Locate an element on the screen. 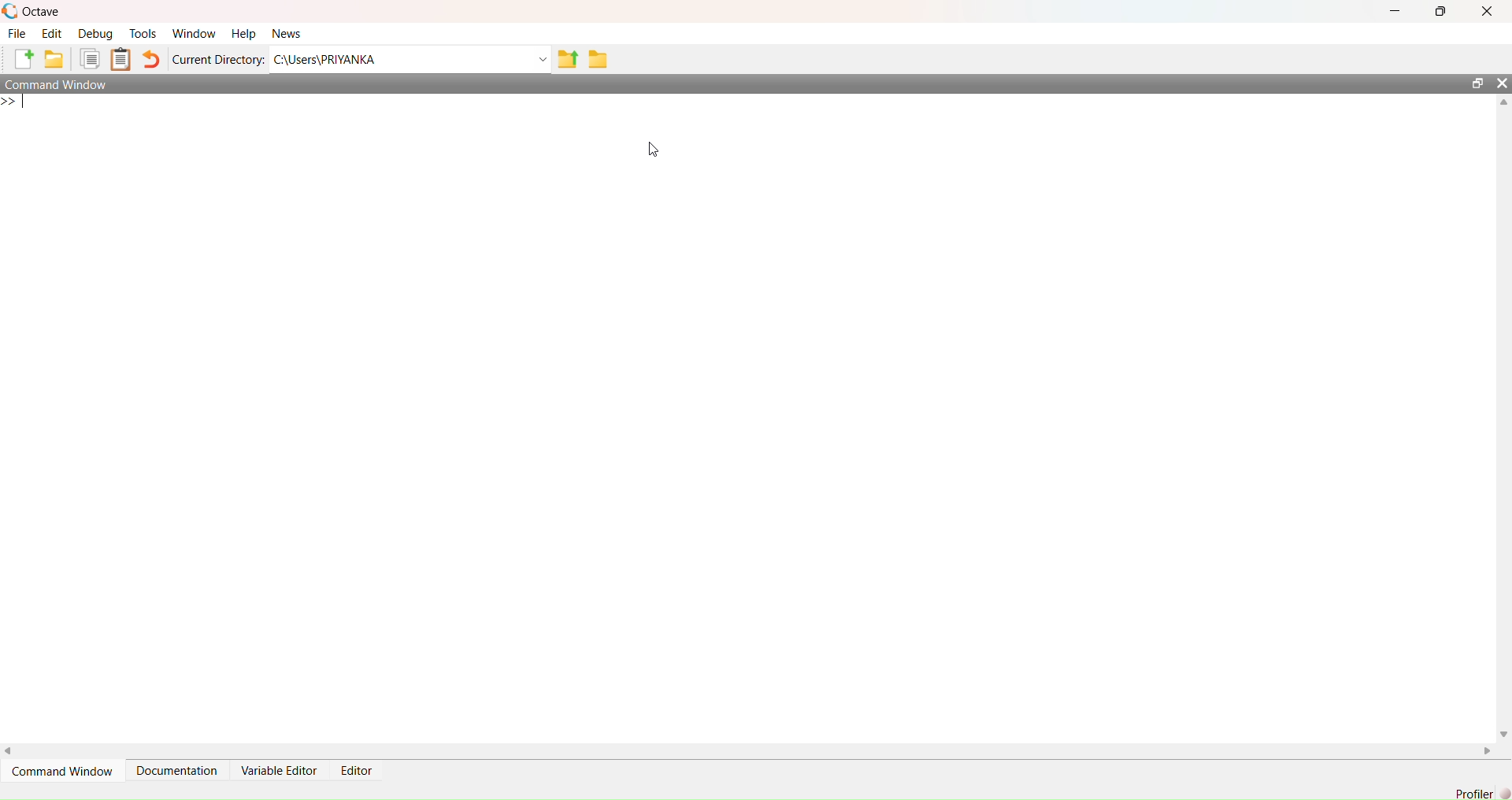 Image resolution: width=1512 pixels, height=800 pixels. File is located at coordinates (18, 33).